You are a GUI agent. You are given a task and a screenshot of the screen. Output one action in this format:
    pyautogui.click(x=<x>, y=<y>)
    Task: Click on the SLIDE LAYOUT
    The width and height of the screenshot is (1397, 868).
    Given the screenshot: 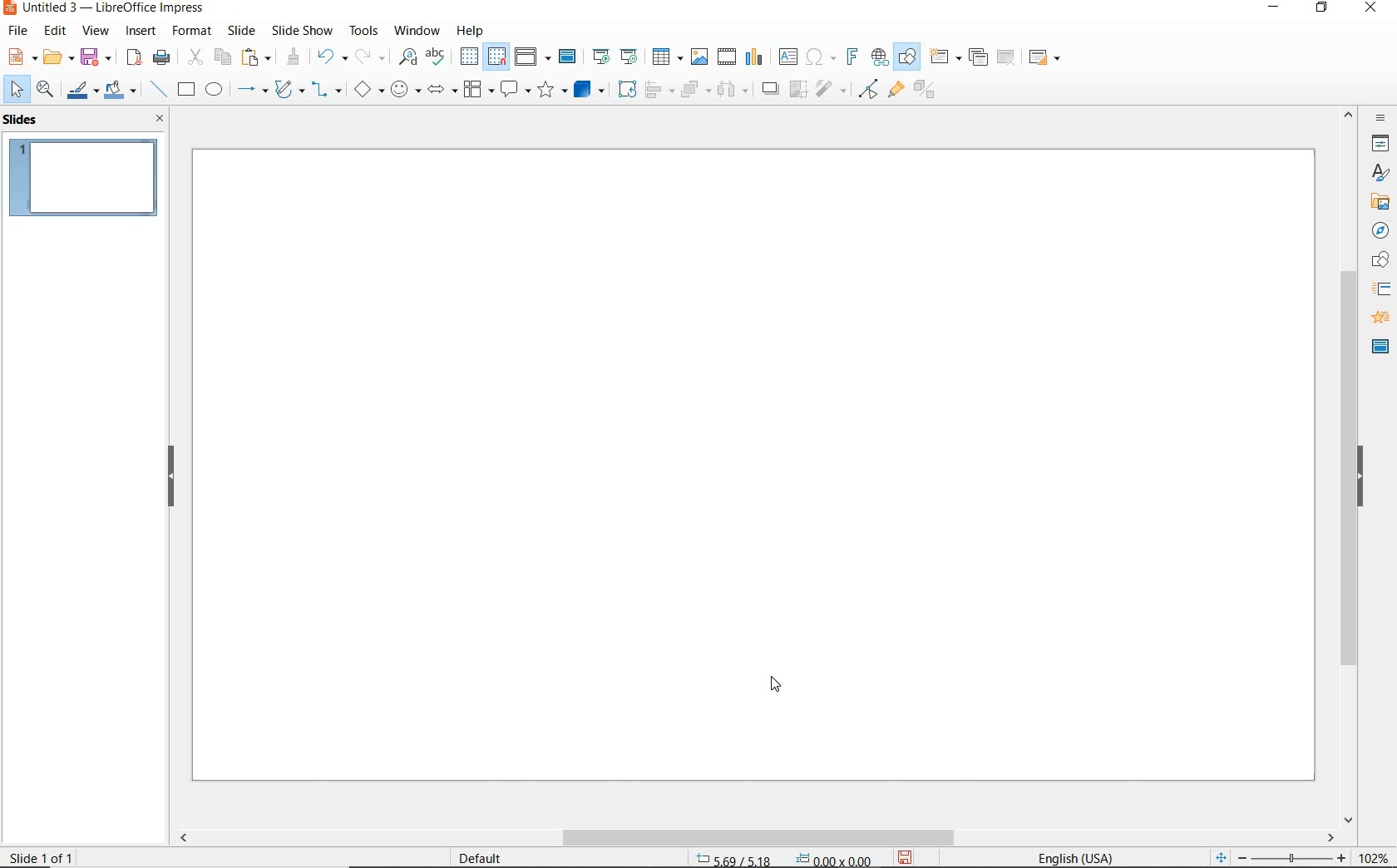 What is the action you would take?
    pyautogui.click(x=1044, y=57)
    